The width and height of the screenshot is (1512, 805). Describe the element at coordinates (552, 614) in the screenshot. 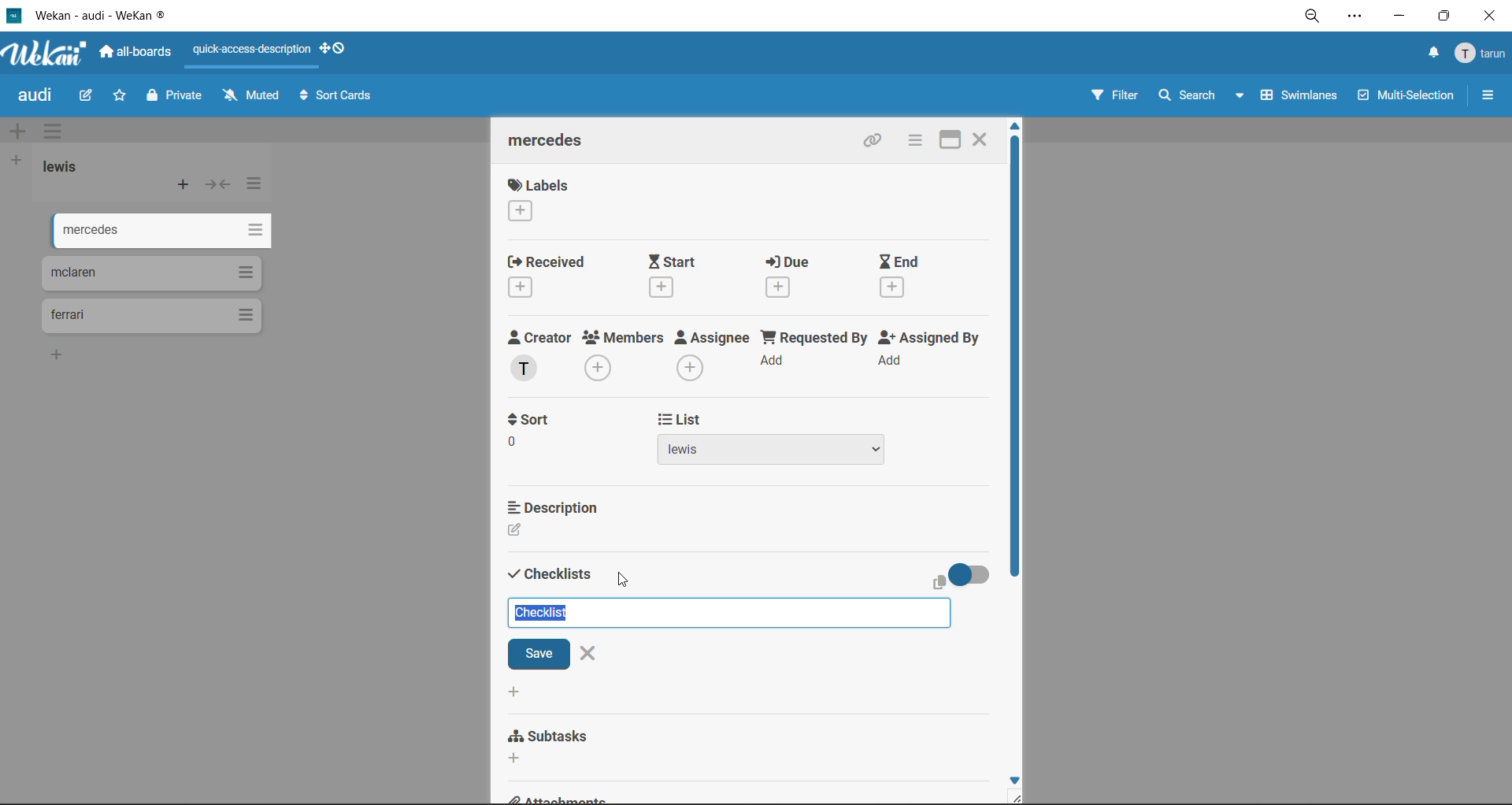

I see `checklist title` at that location.